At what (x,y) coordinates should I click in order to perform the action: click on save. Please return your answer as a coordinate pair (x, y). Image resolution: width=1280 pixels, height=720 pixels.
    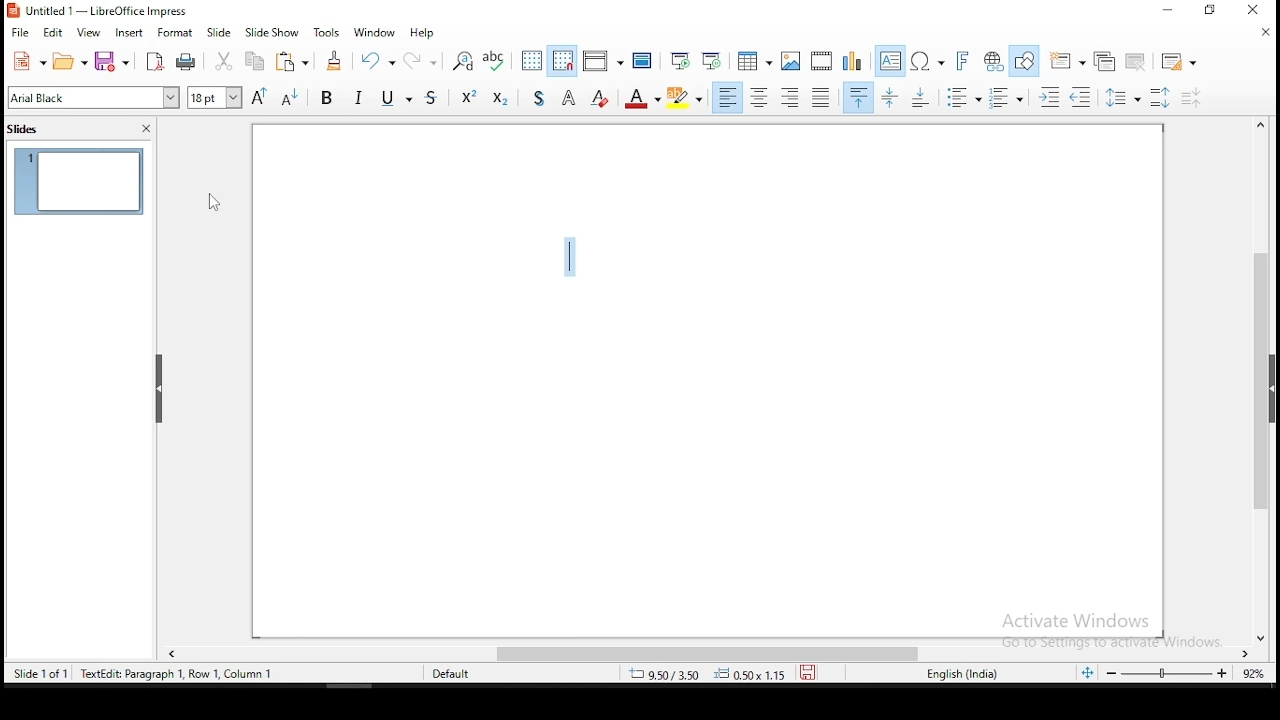
    Looking at the image, I should click on (808, 672).